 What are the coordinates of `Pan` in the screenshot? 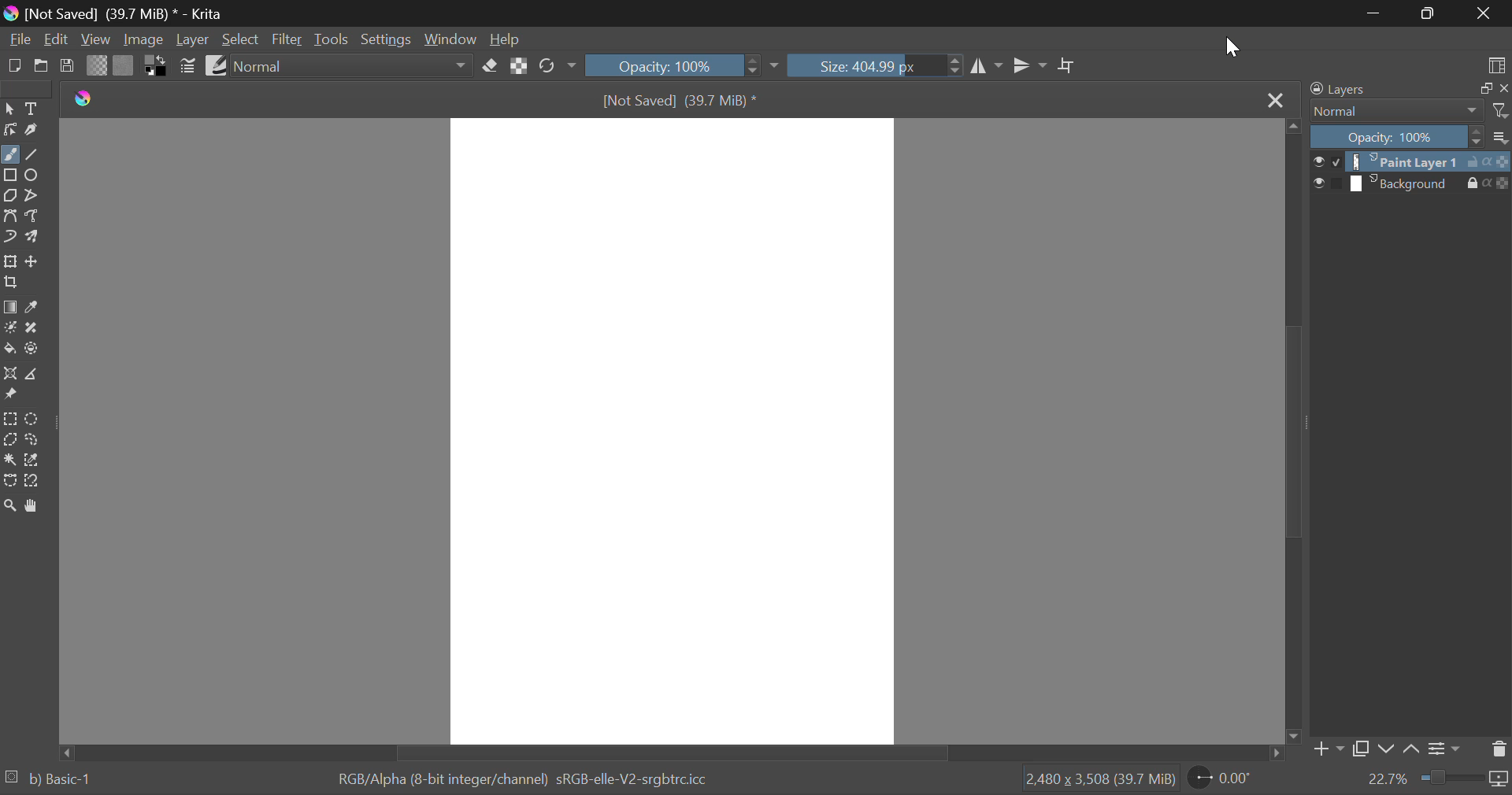 It's located at (34, 505).